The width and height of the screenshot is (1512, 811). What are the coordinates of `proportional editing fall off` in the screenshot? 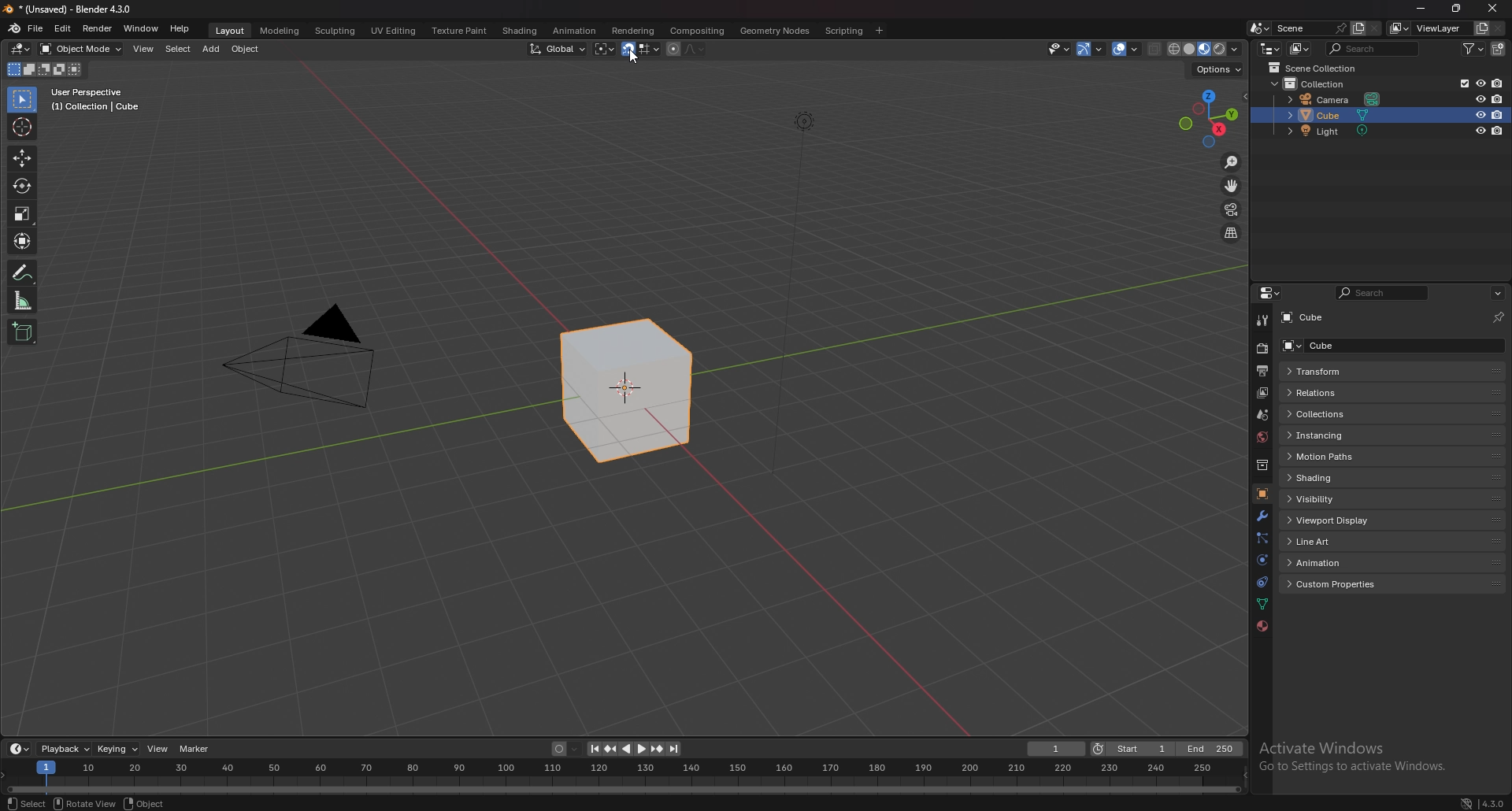 It's located at (695, 49).